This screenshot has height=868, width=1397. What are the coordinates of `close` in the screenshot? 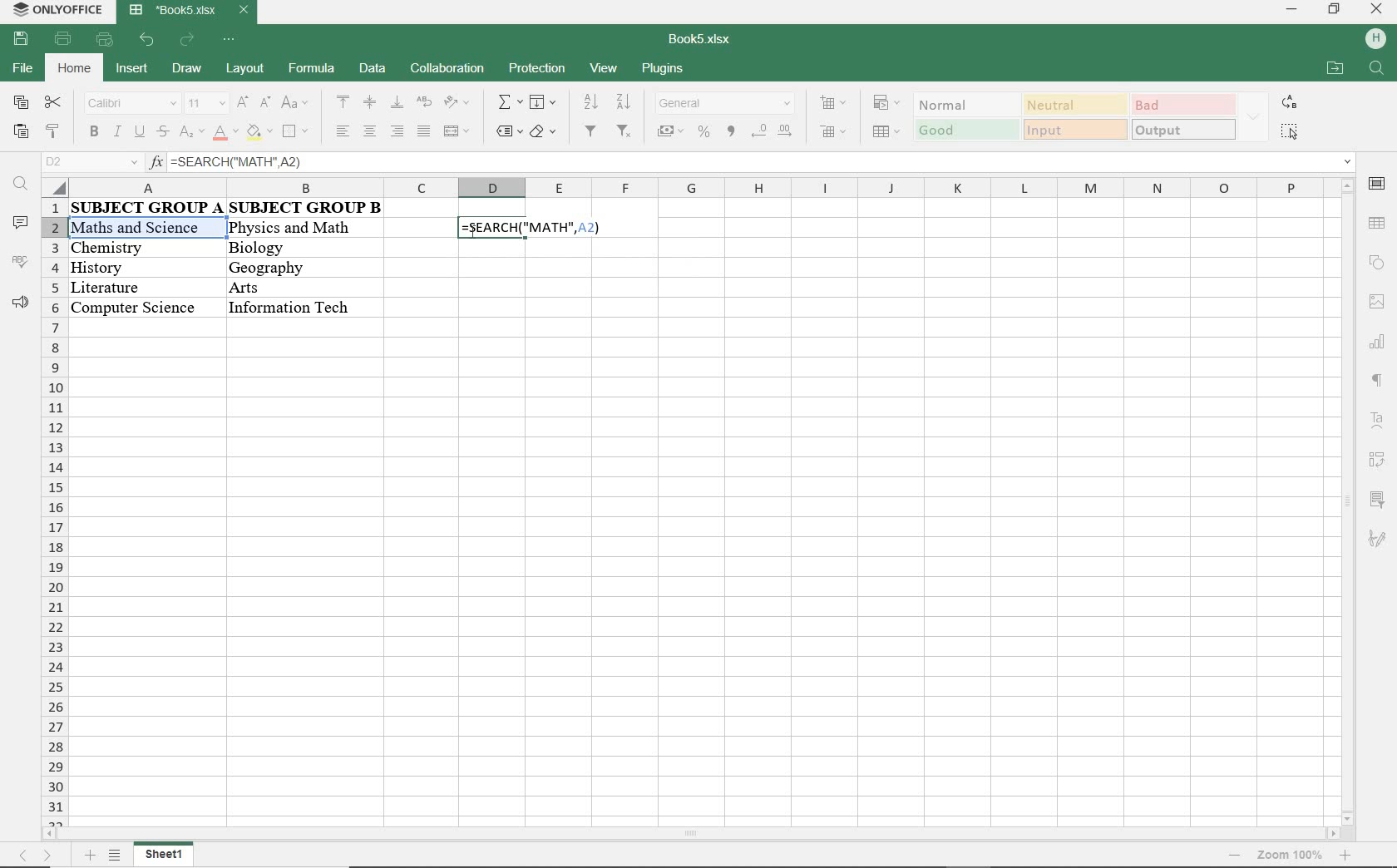 It's located at (1376, 10).